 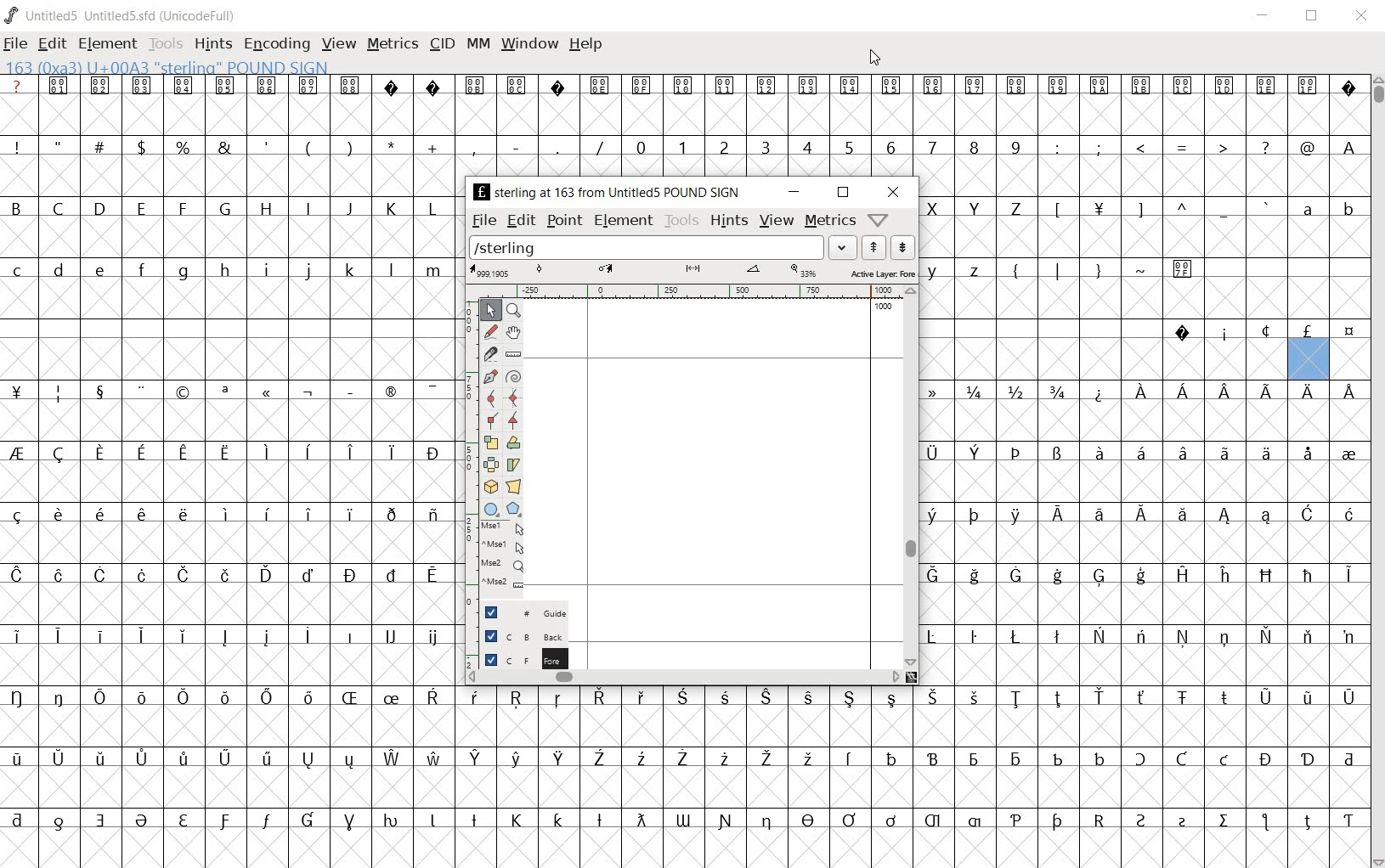 I want to click on Symbol, so click(x=392, y=759).